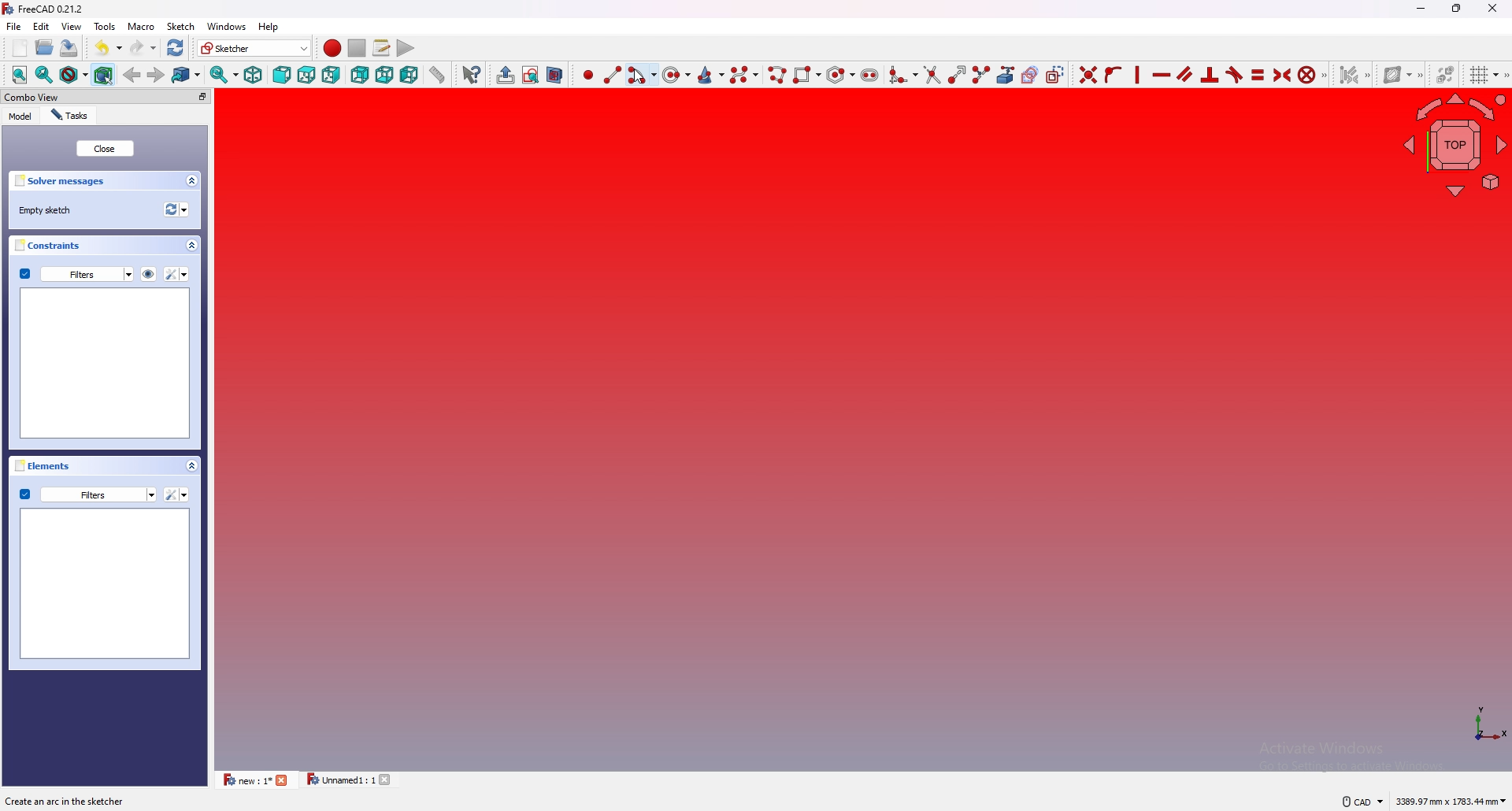  I want to click on file, so click(14, 26).